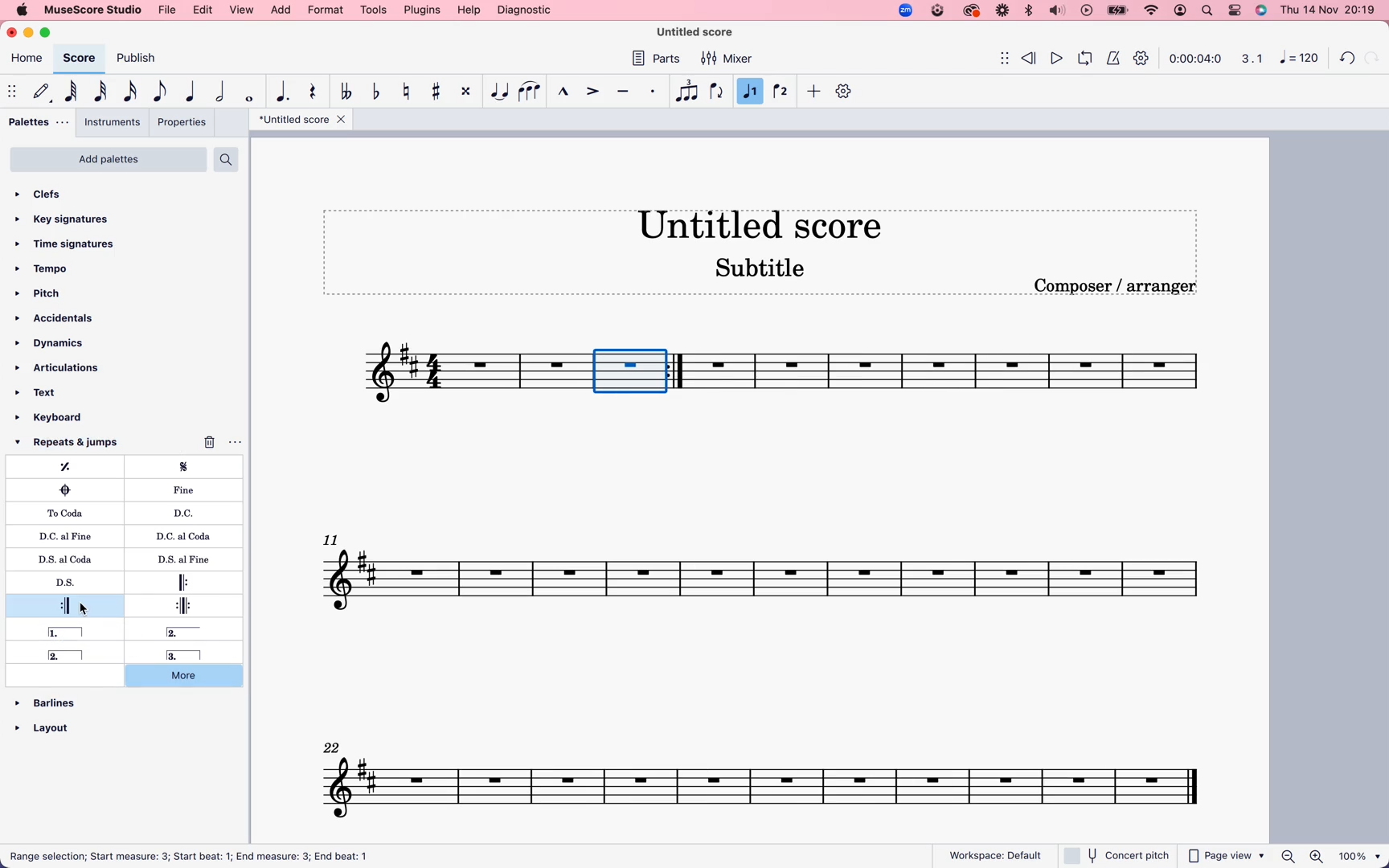 Image resolution: width=1389 pixels, height=868 pixels. What do you see at coordinates (762, 270) in the screenshot?
I see `subtitle` at bounding box center [762, 270].